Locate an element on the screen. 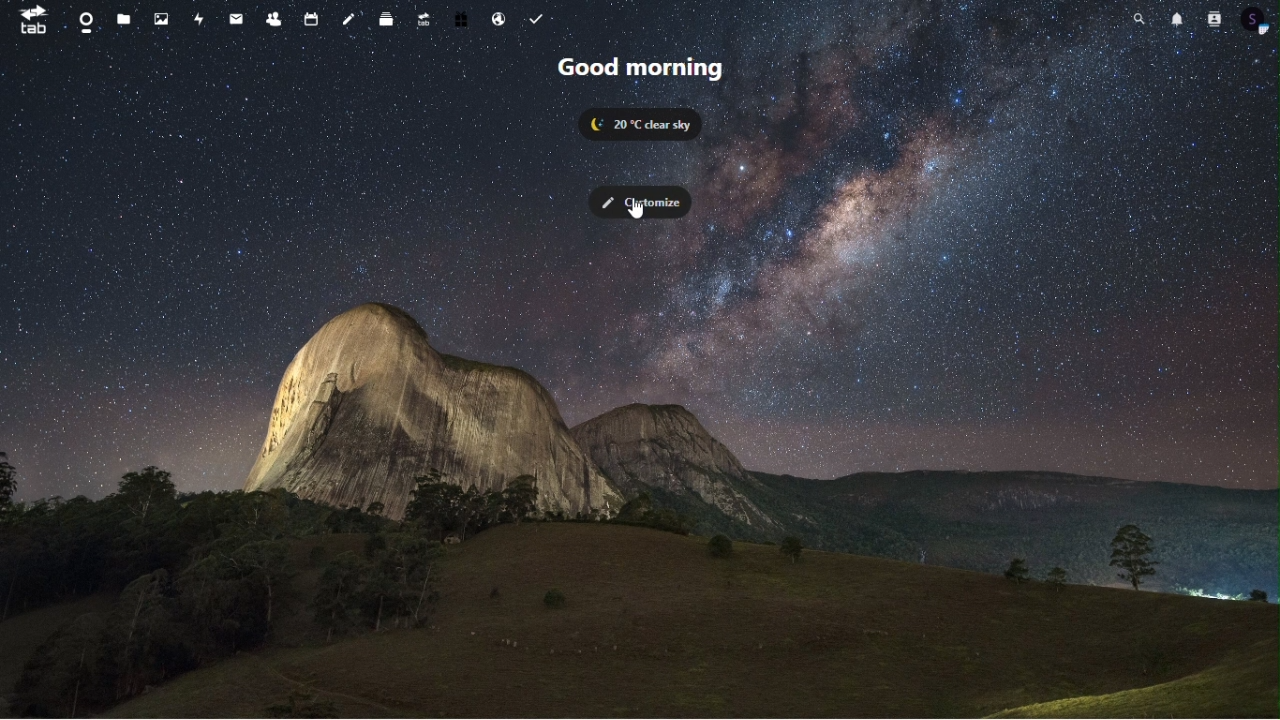 This screenshot has width=1280, height=720. email hosting is located at coordinates (501, 18).